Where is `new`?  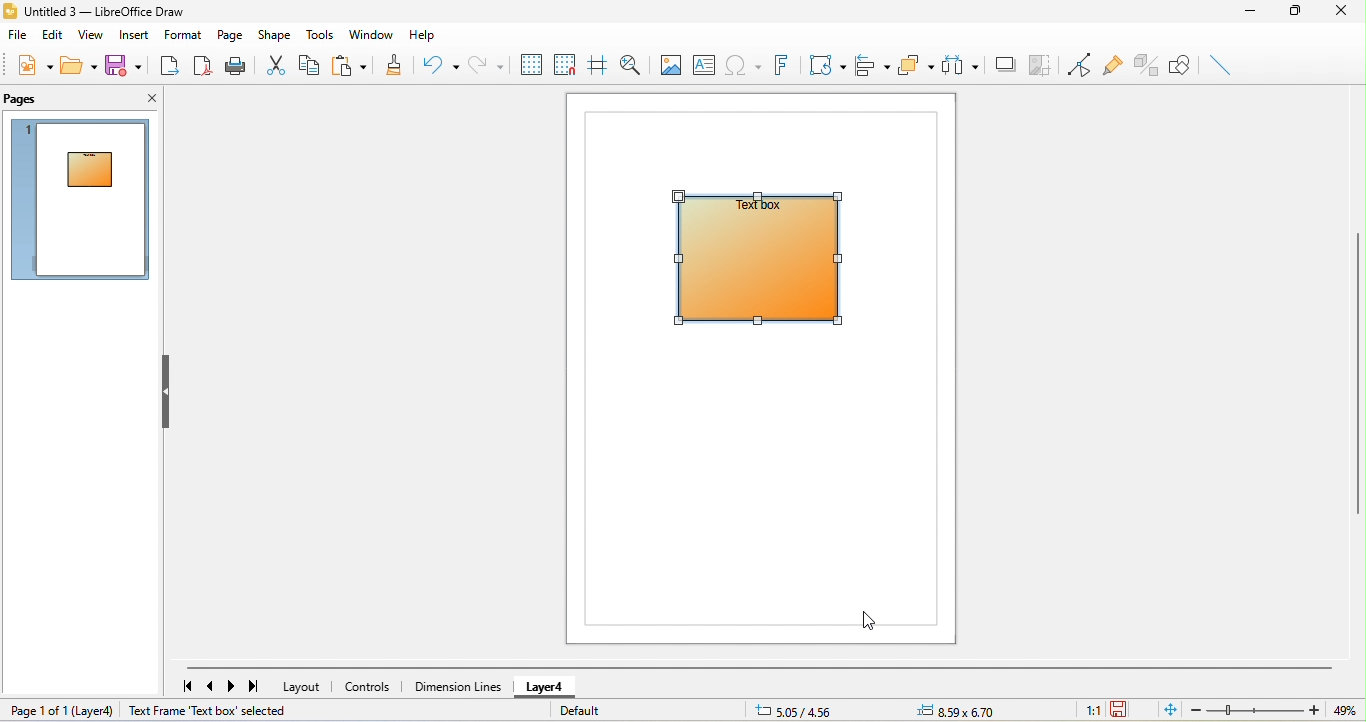 new is located at coordinates (32, 65).